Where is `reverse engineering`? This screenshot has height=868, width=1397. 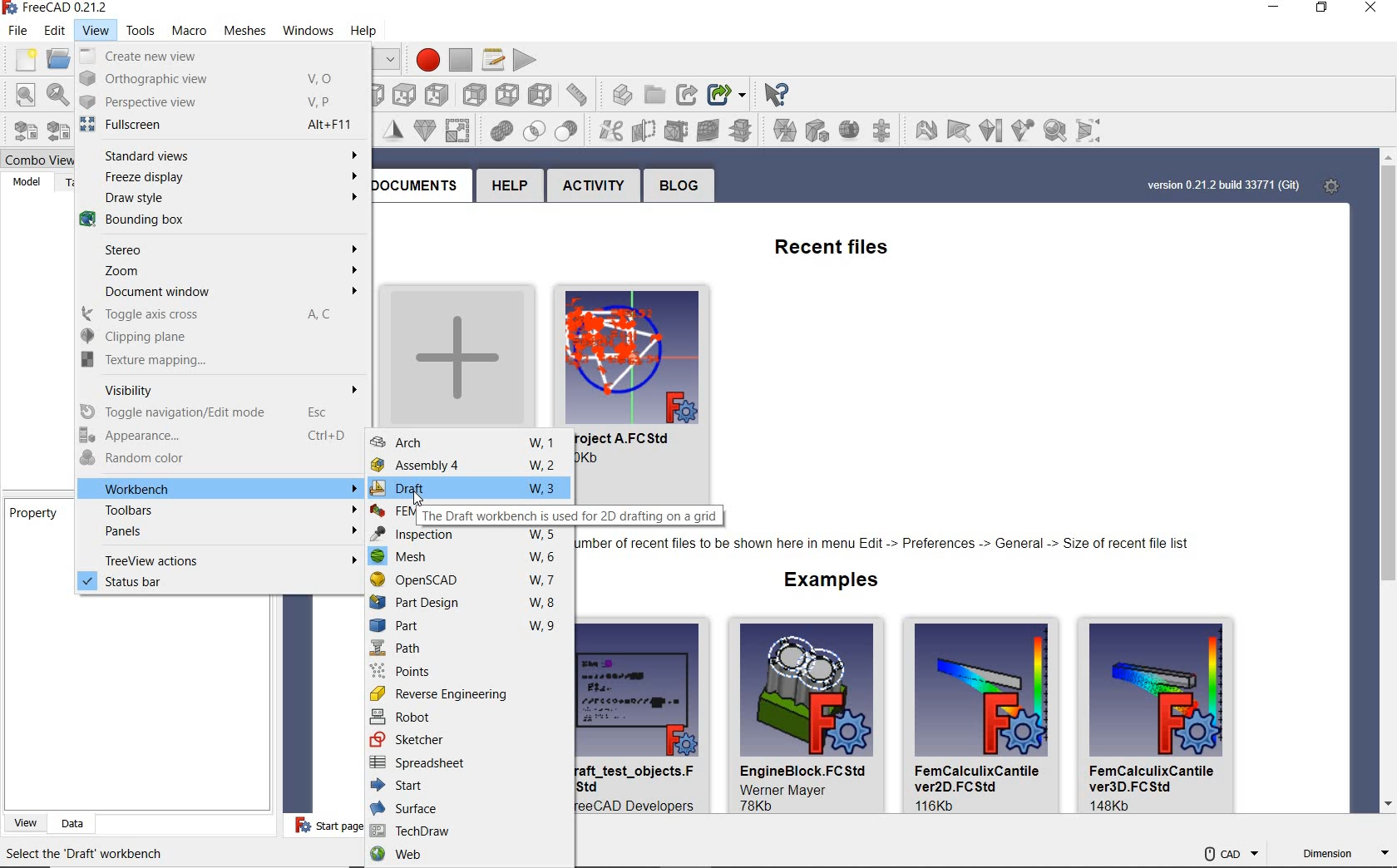
reverse engineering is located at coordinates (470, 693).